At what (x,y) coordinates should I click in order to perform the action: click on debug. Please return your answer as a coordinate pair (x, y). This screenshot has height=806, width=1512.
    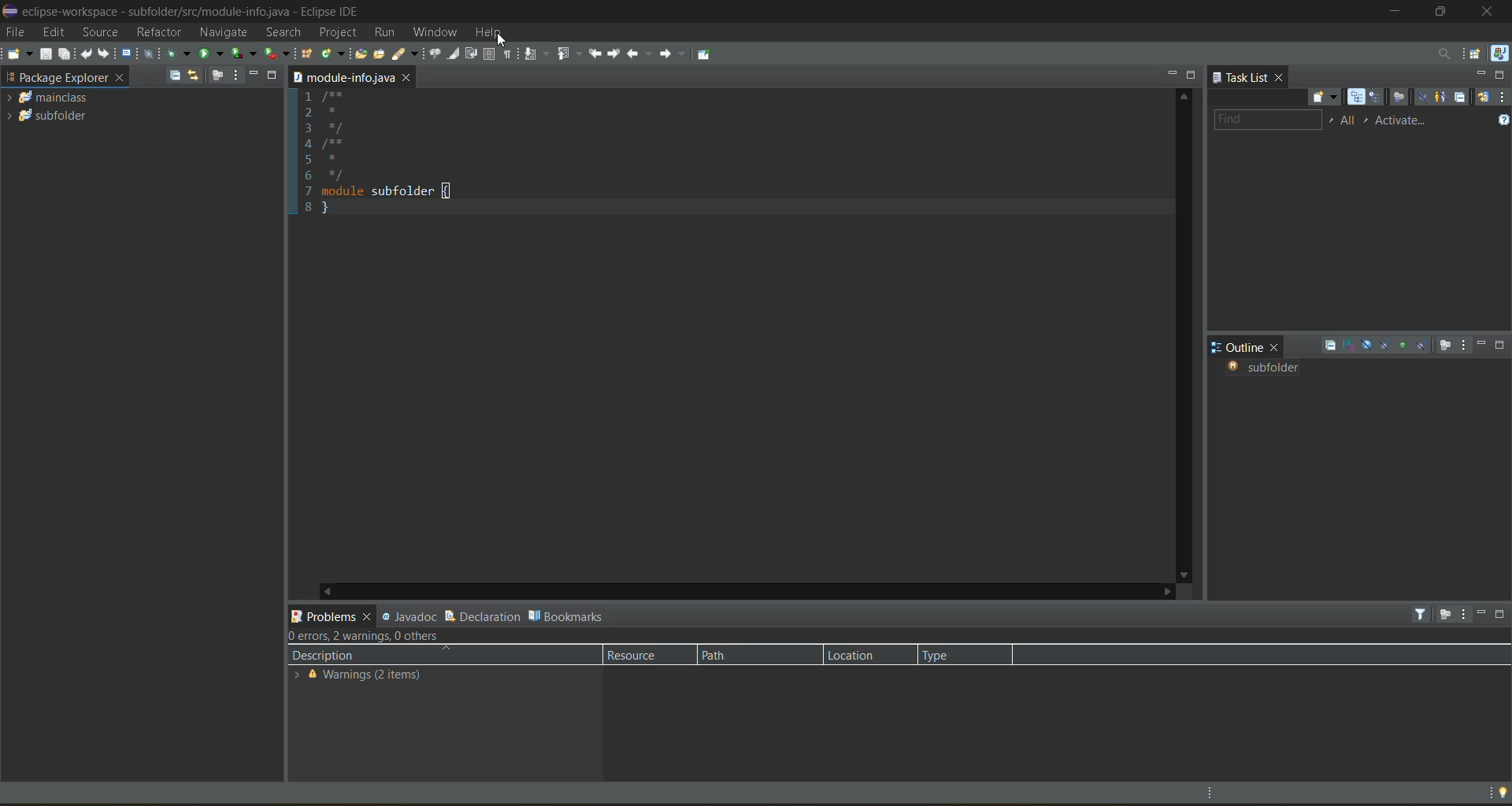
    Looking at the image, I should click on (180, 57).